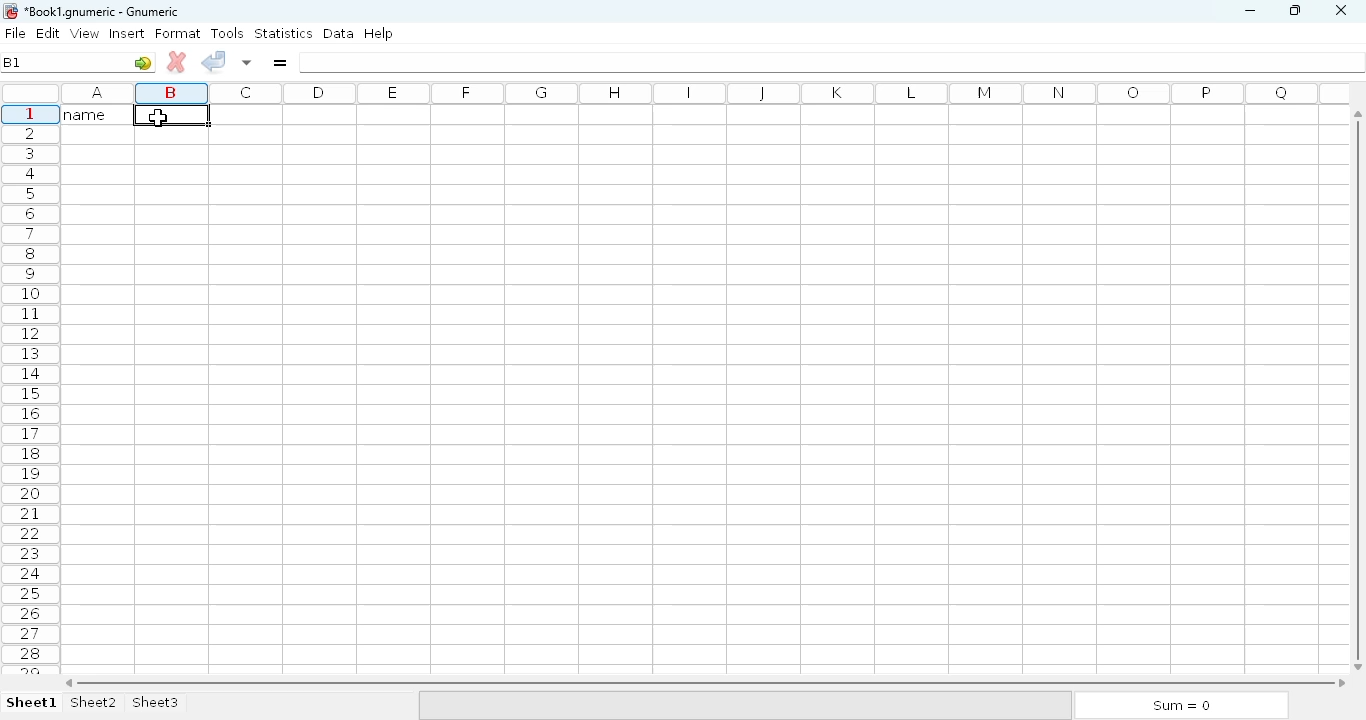 This screenshot has width=1366, height=720. What do you see at coordinates (213, 60) in the screenshot?
I see `accept change` at bounding box center [213, 60].